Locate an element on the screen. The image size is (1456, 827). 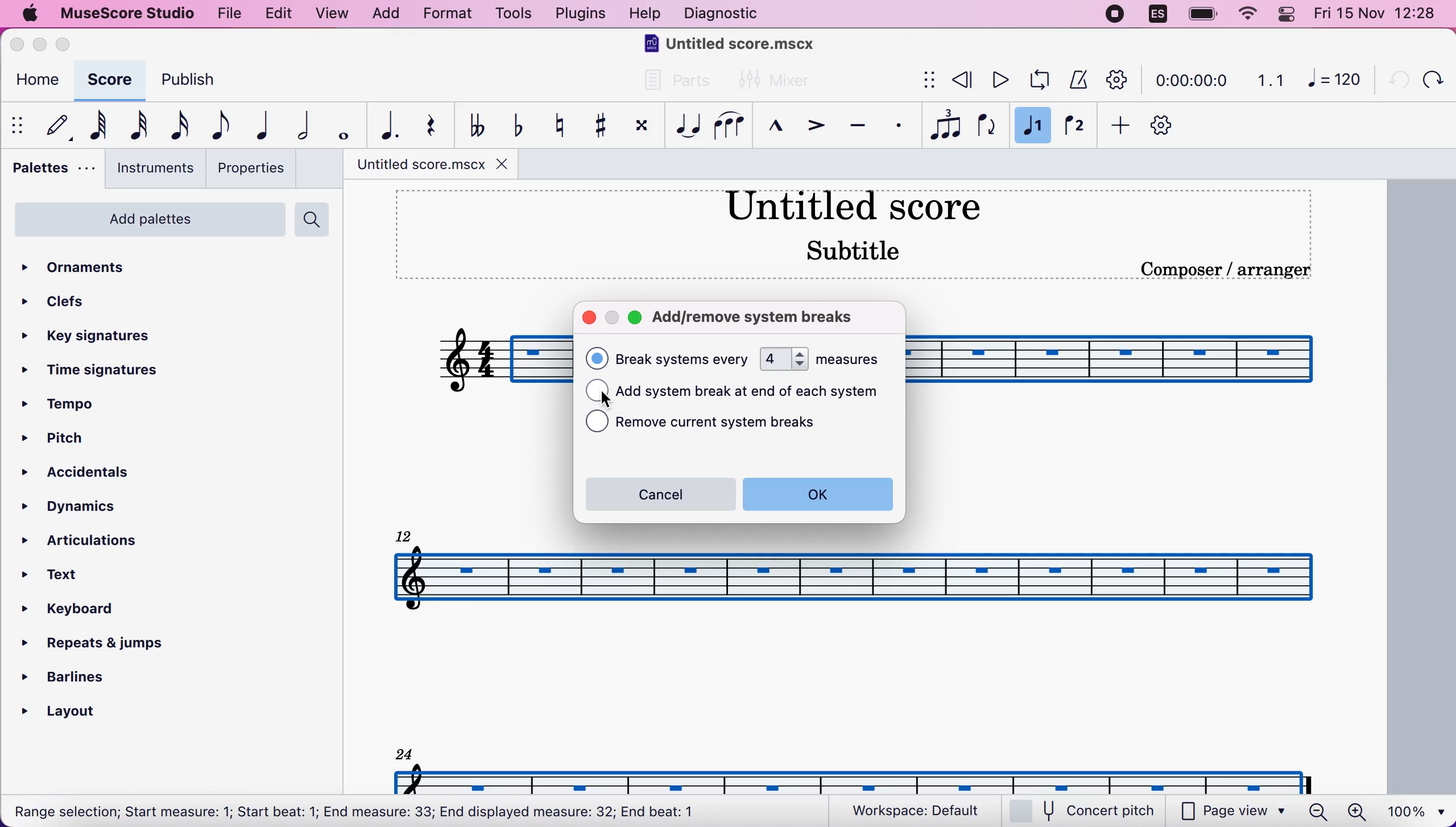
score is located at coordinates (107, 80).